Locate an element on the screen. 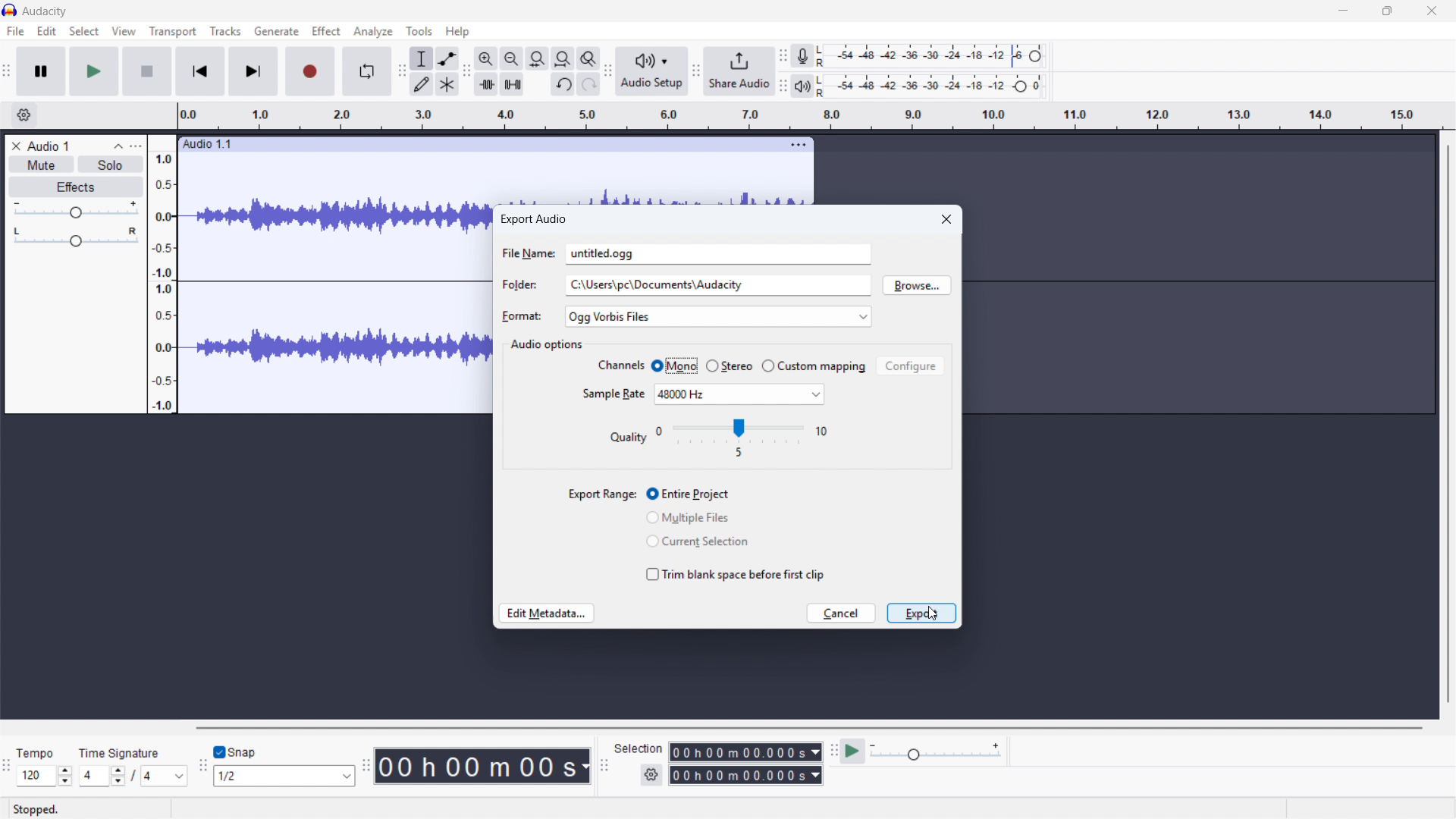 The height and width of the screenshot is (819, 1456). Toggle zoom  is located at coordinates (588, 58).